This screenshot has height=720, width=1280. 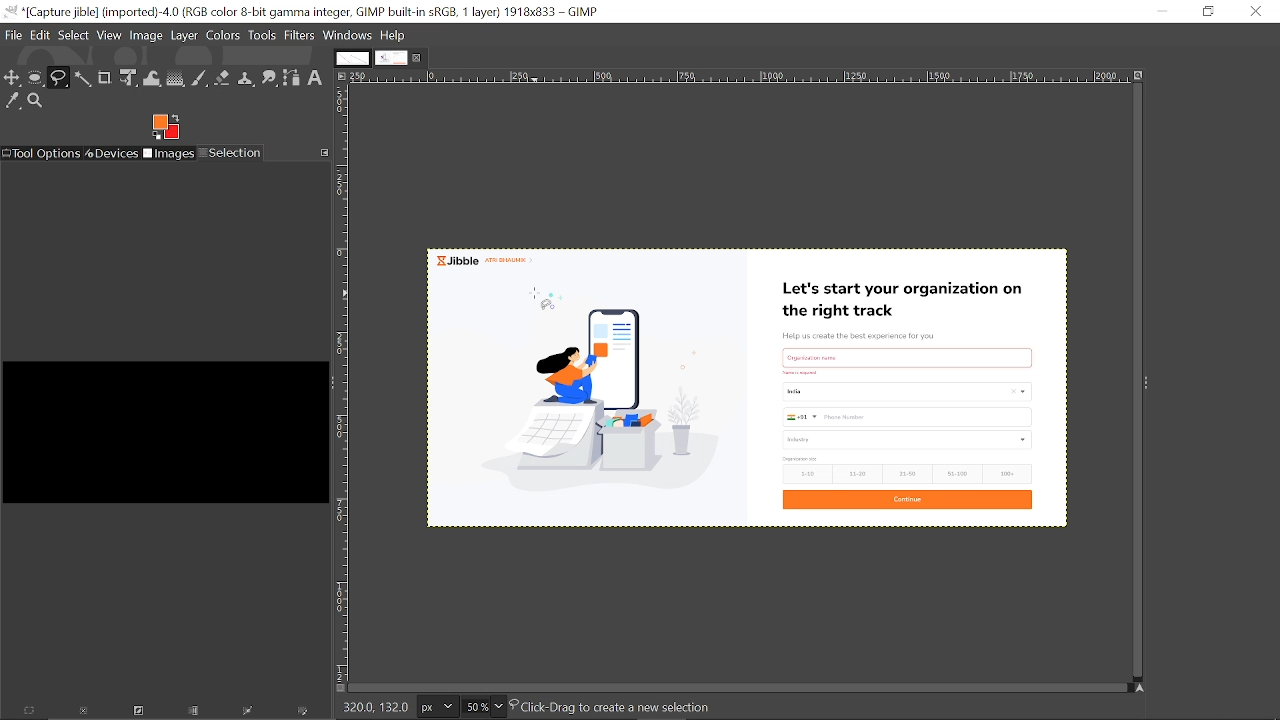 I want to click on Zoom image when window size changes, so click(x=1141, y=79).